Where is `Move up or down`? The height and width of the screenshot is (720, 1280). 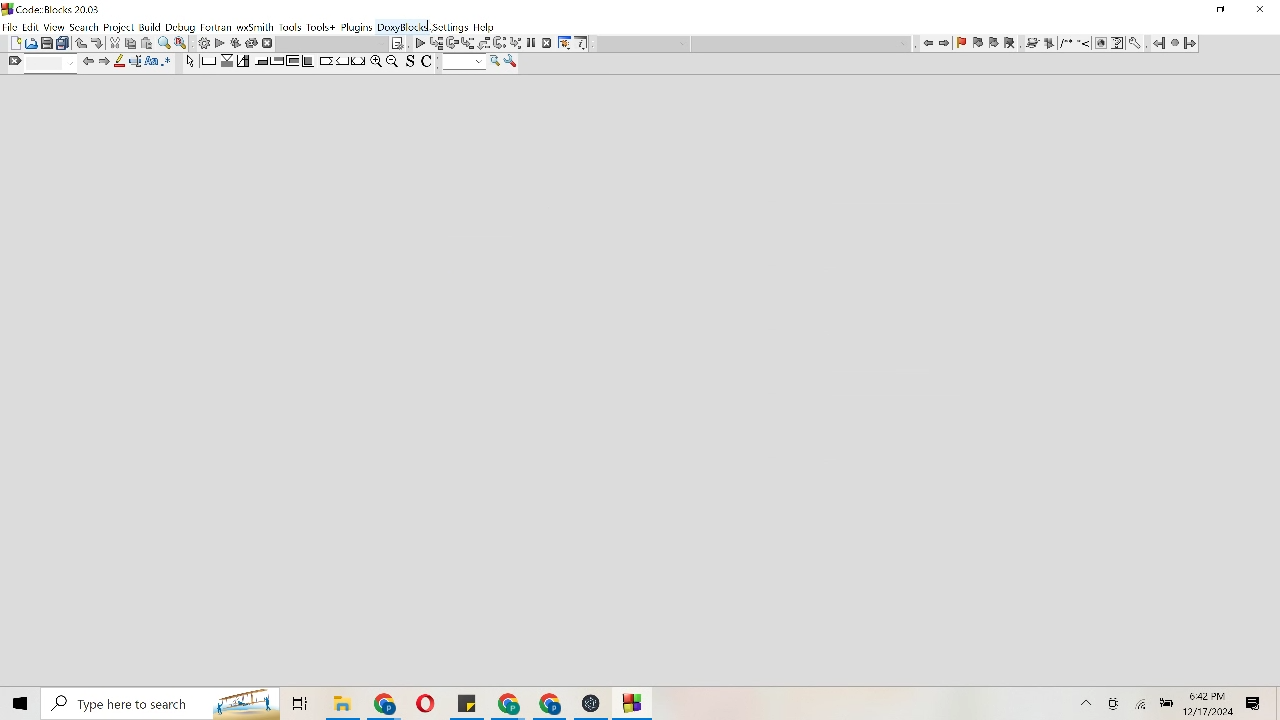
Move up or down is located at coordinates (80, 43).